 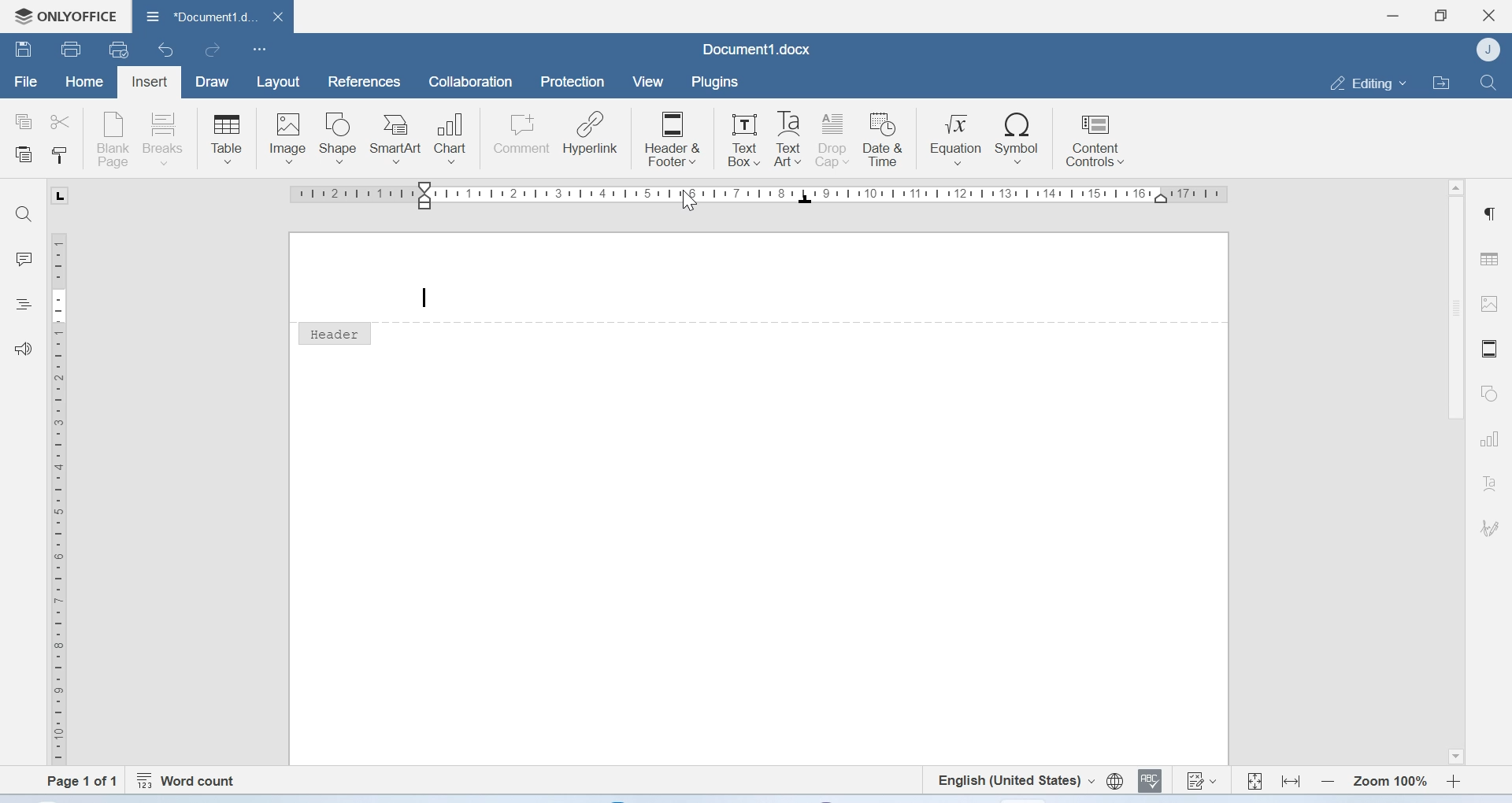 I want to click on Account, so click(x=1488, y=50).